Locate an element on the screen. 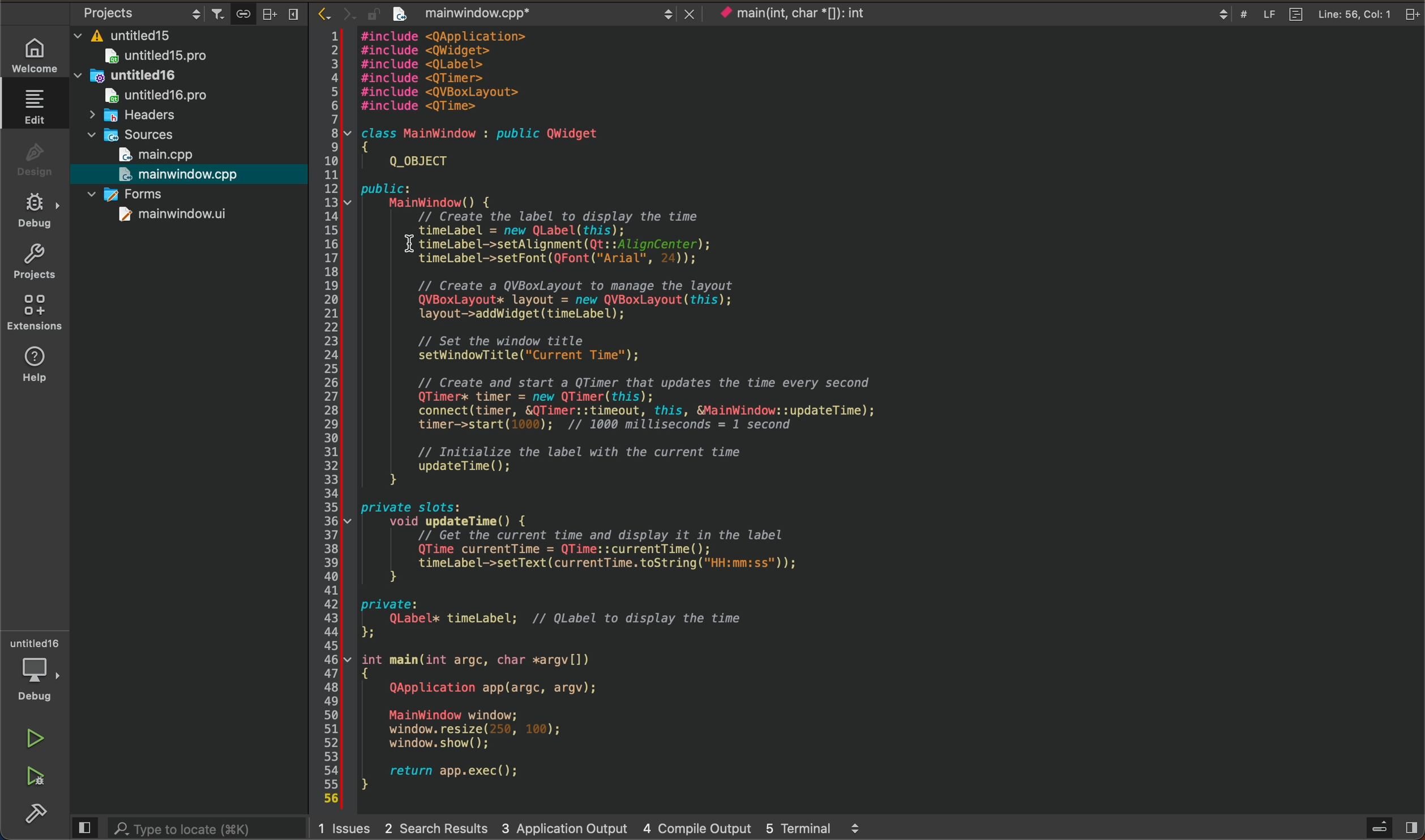 The image size is (1425, 840). untitled15.pro is located at coordinates (164, 57).